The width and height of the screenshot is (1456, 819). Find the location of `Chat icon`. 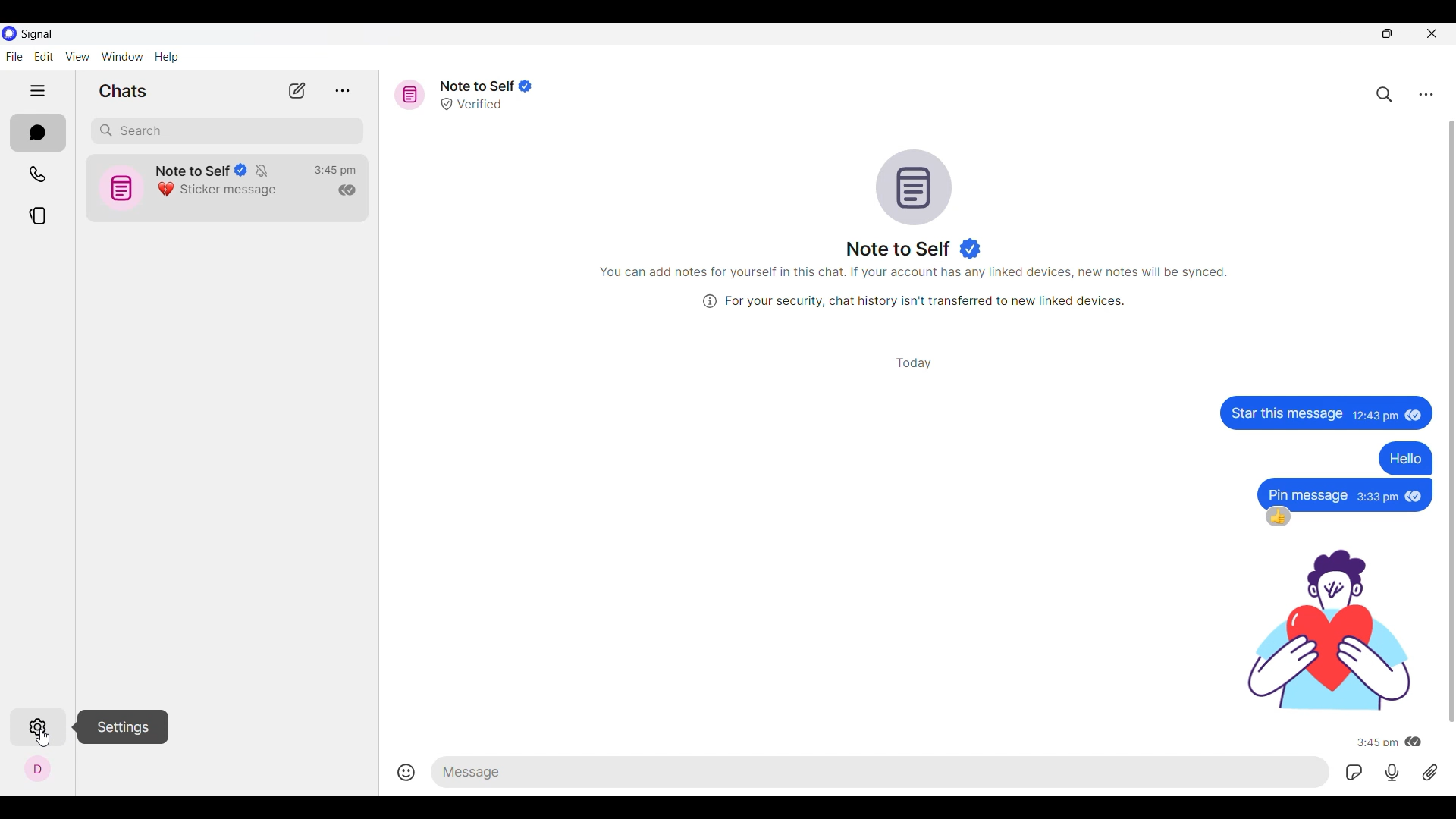

Chat icon is located at coordinates (915, 187).